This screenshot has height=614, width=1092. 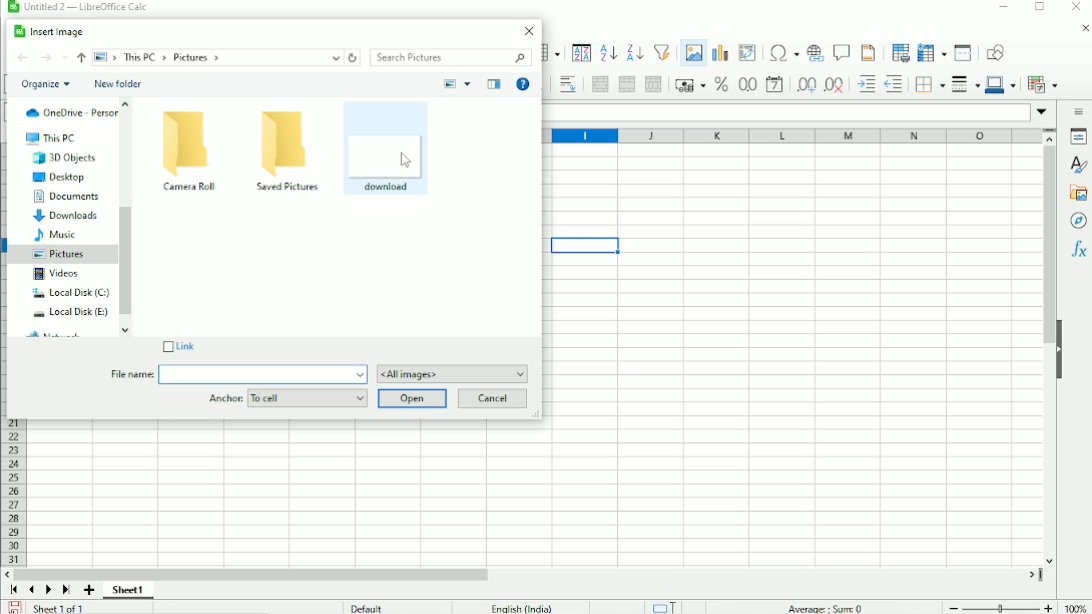 I want to click on Merge and center, so click(x=600, y=84).